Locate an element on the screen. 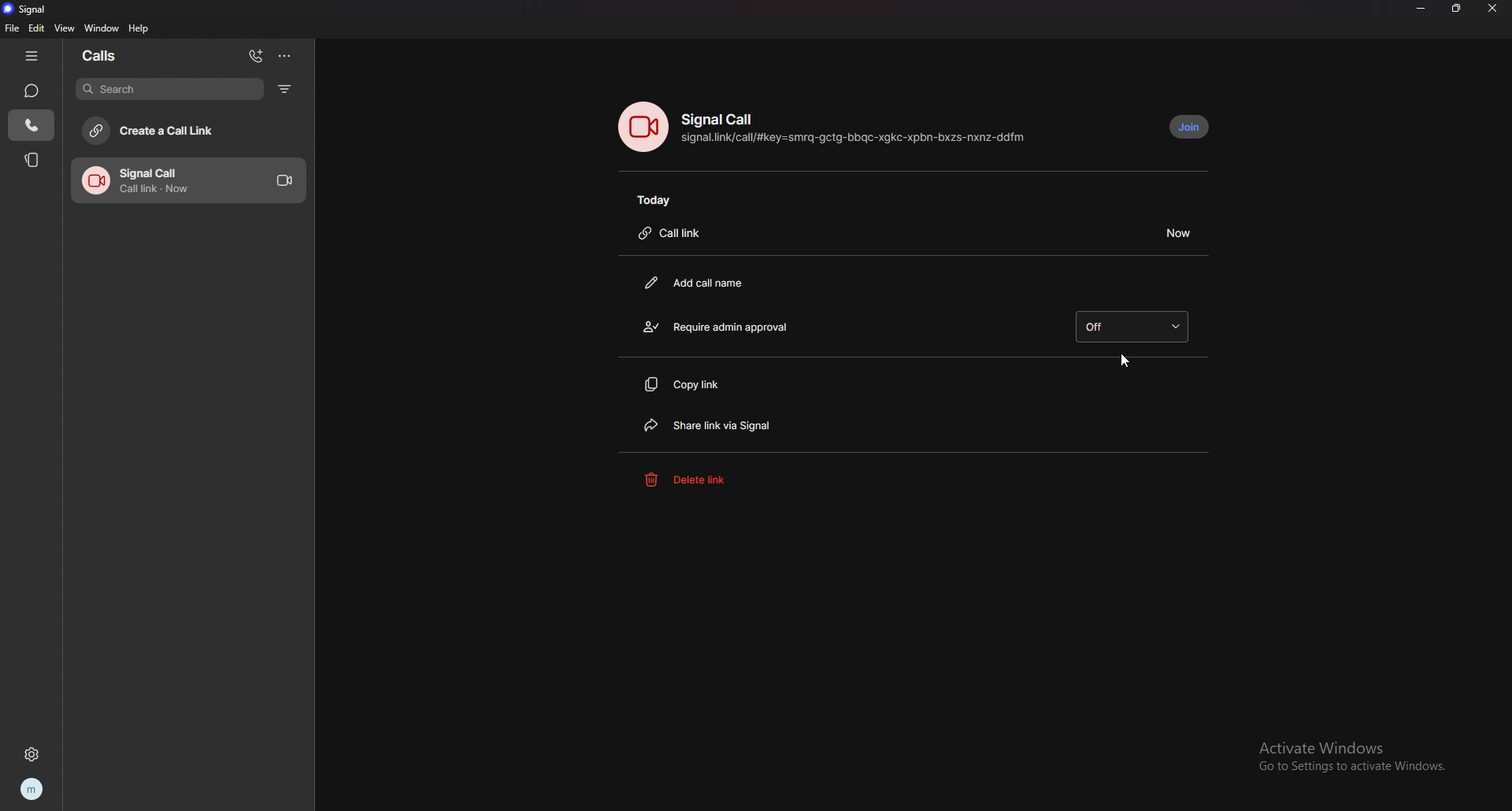 This screenshot has height=811, width=1512. file is located at coordinates (13, 28).